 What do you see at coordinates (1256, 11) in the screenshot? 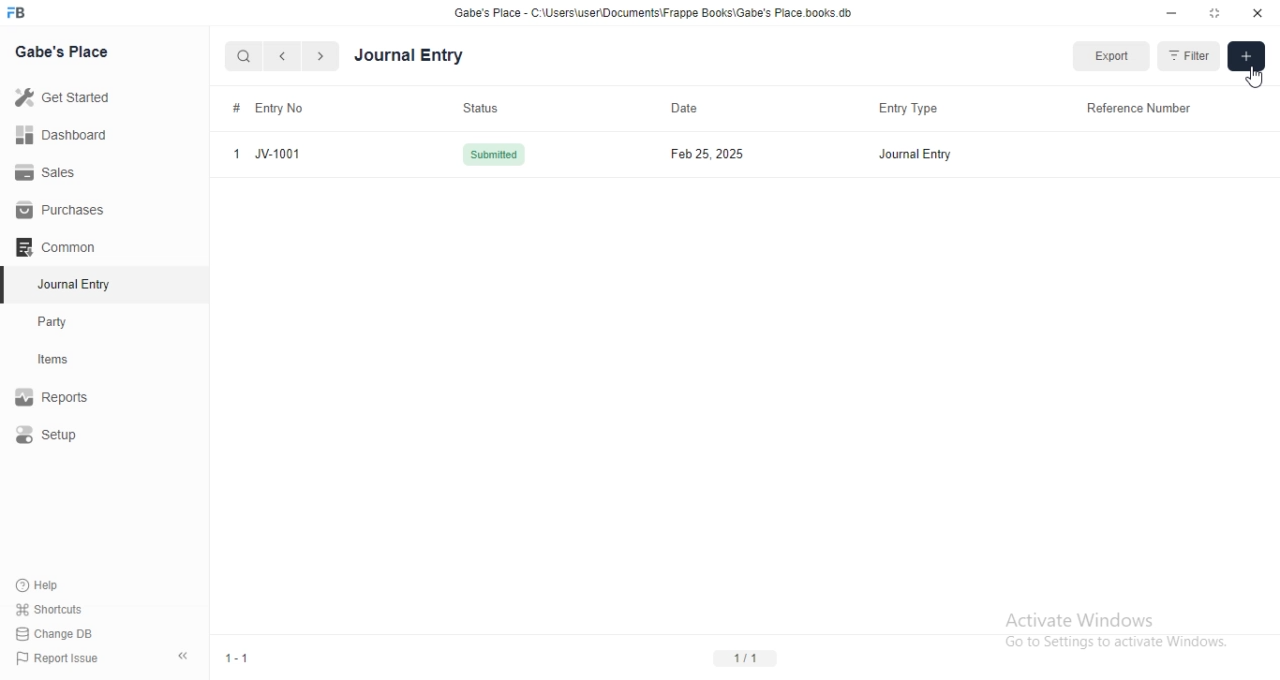
I see `close` at bounding box center [1256, 11].